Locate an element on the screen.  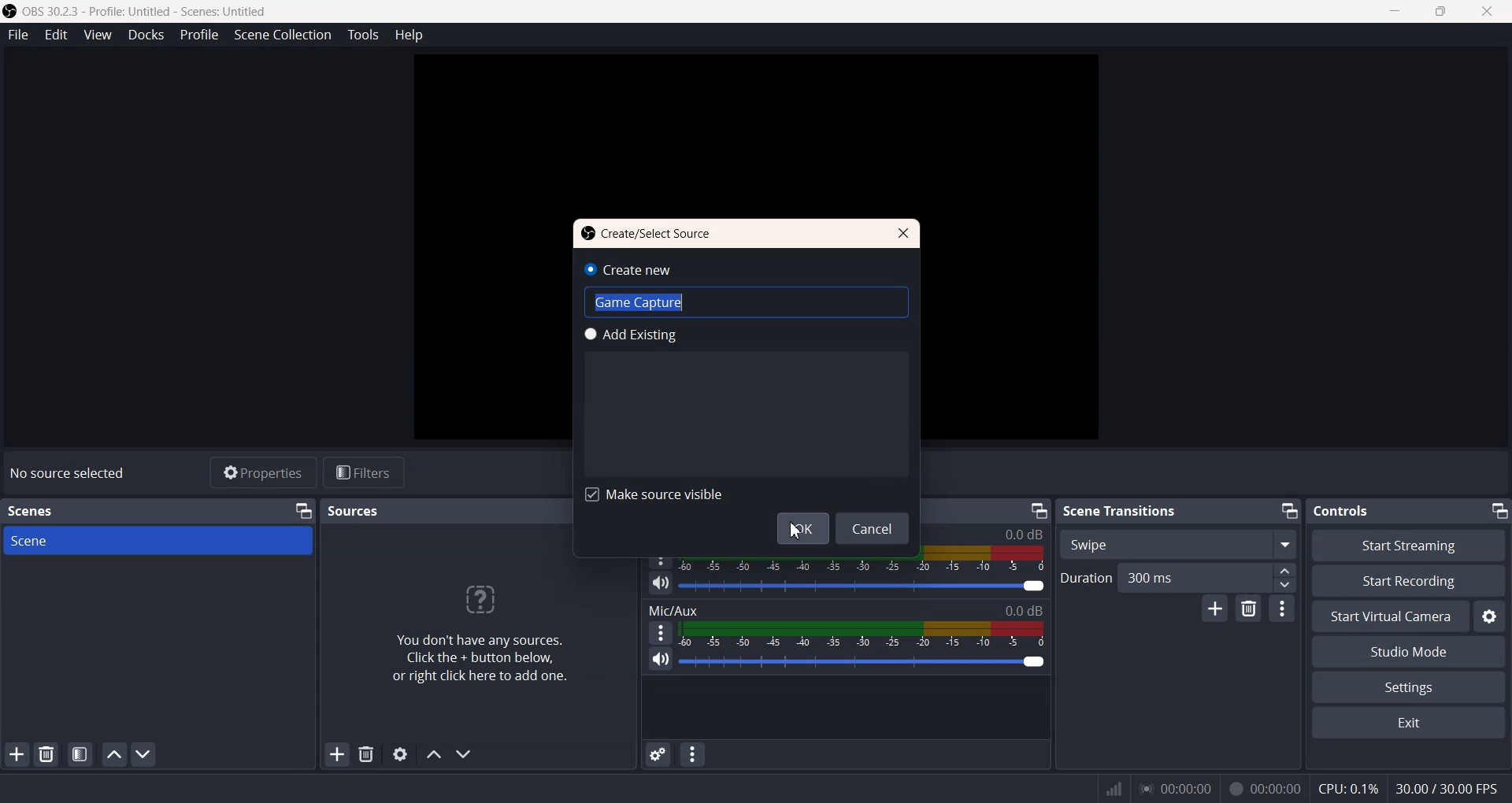
Minimize is located at coordinates (1288, 511).